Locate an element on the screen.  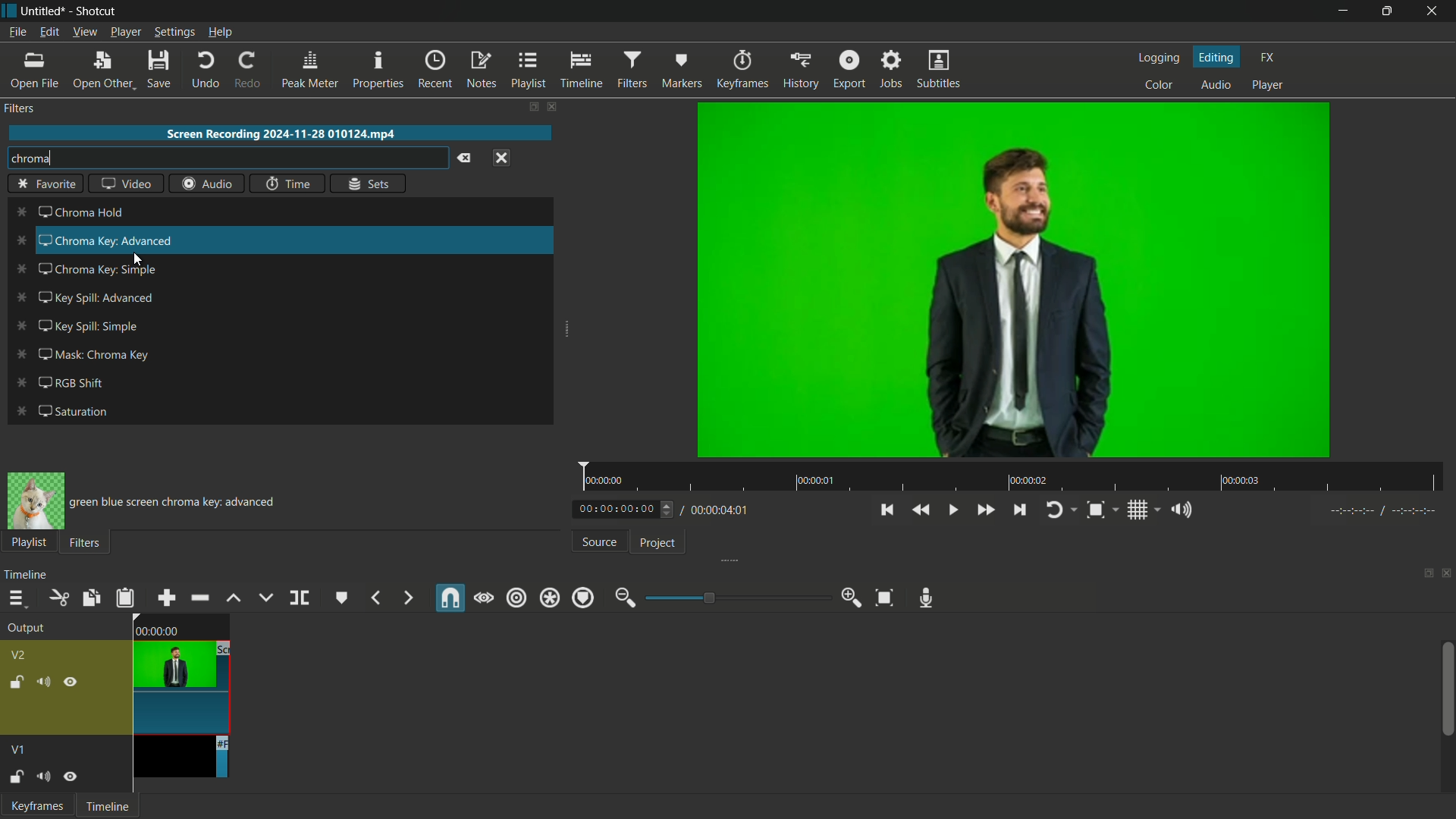
audio is located at coordinates (207, 183).